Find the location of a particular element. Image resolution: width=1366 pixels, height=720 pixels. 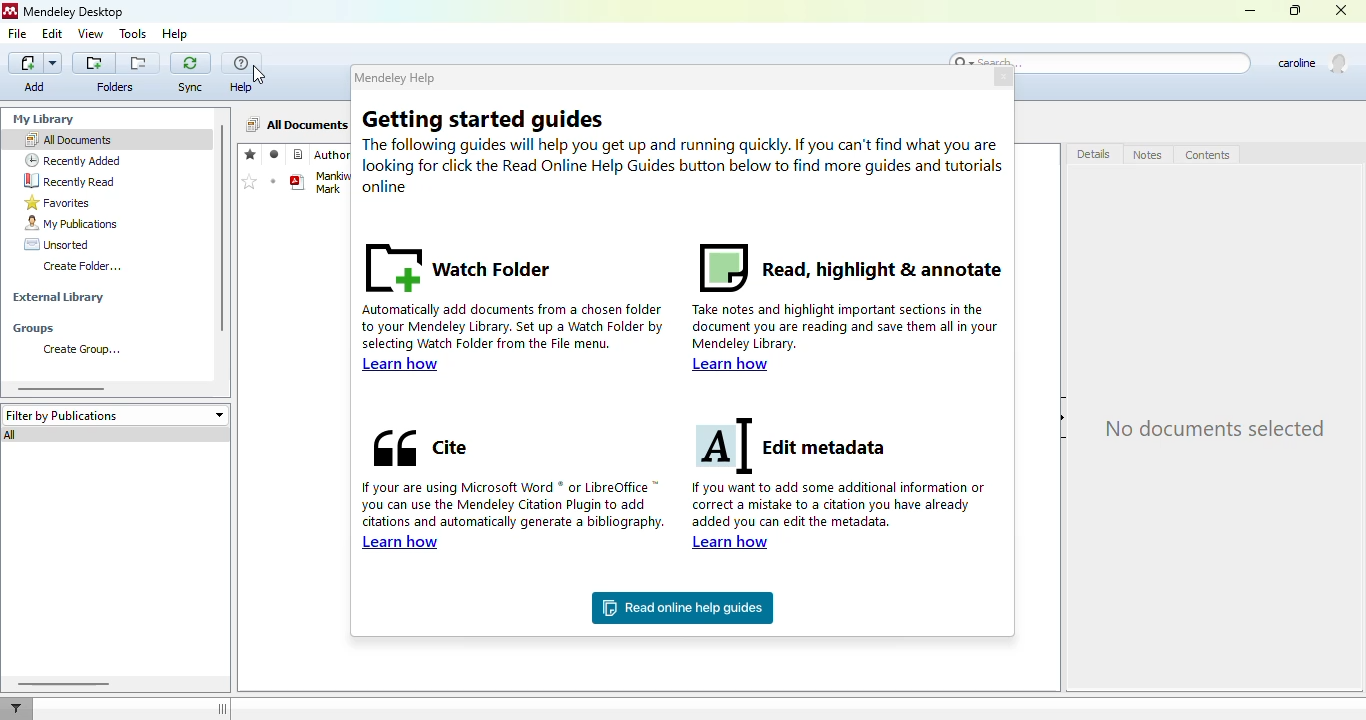

maximize is located at coordinates (1296, 11).